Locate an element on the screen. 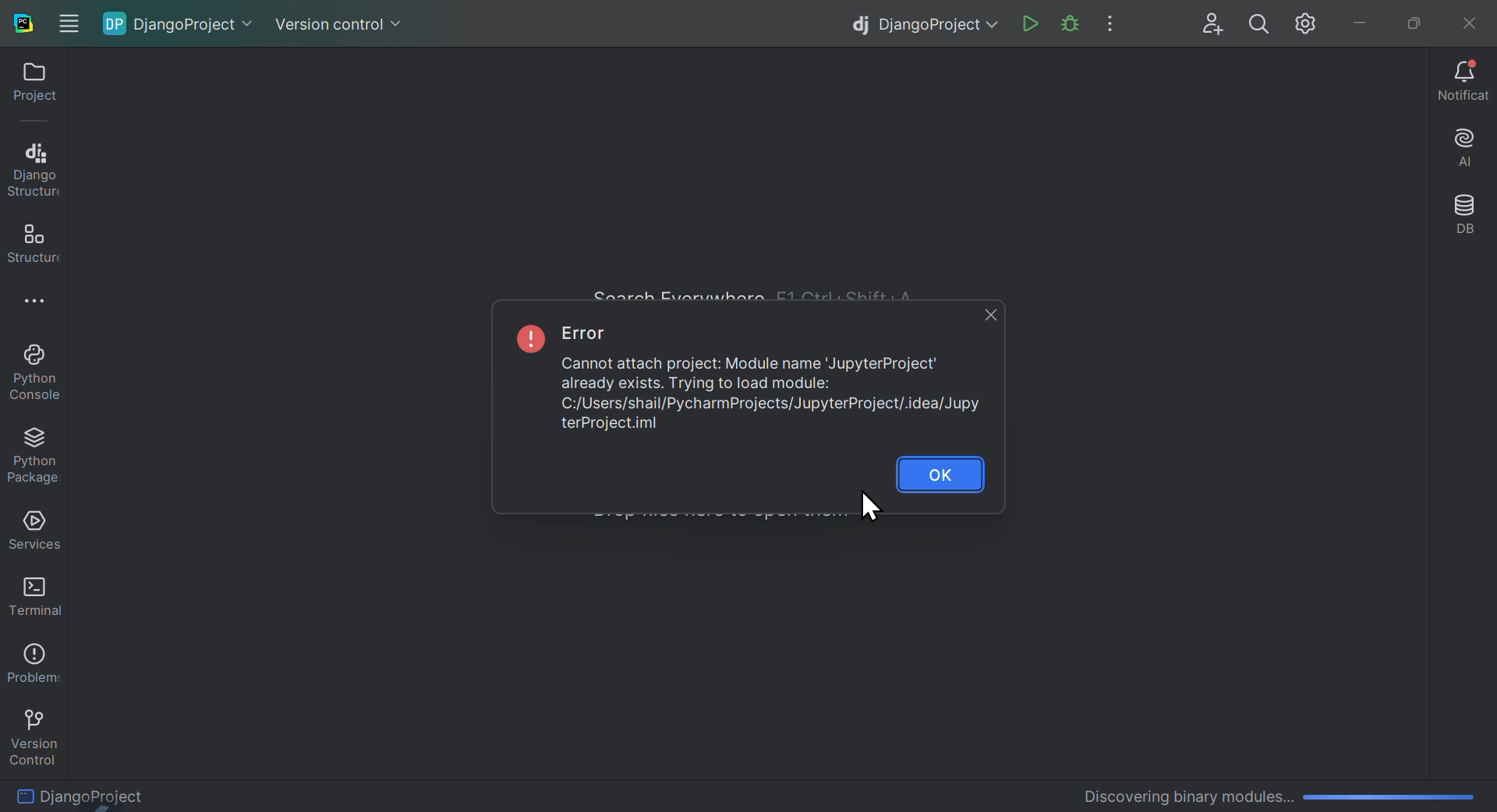 This screenshot has height=812, width=1497. Python package is located at coordinates (39, 457).